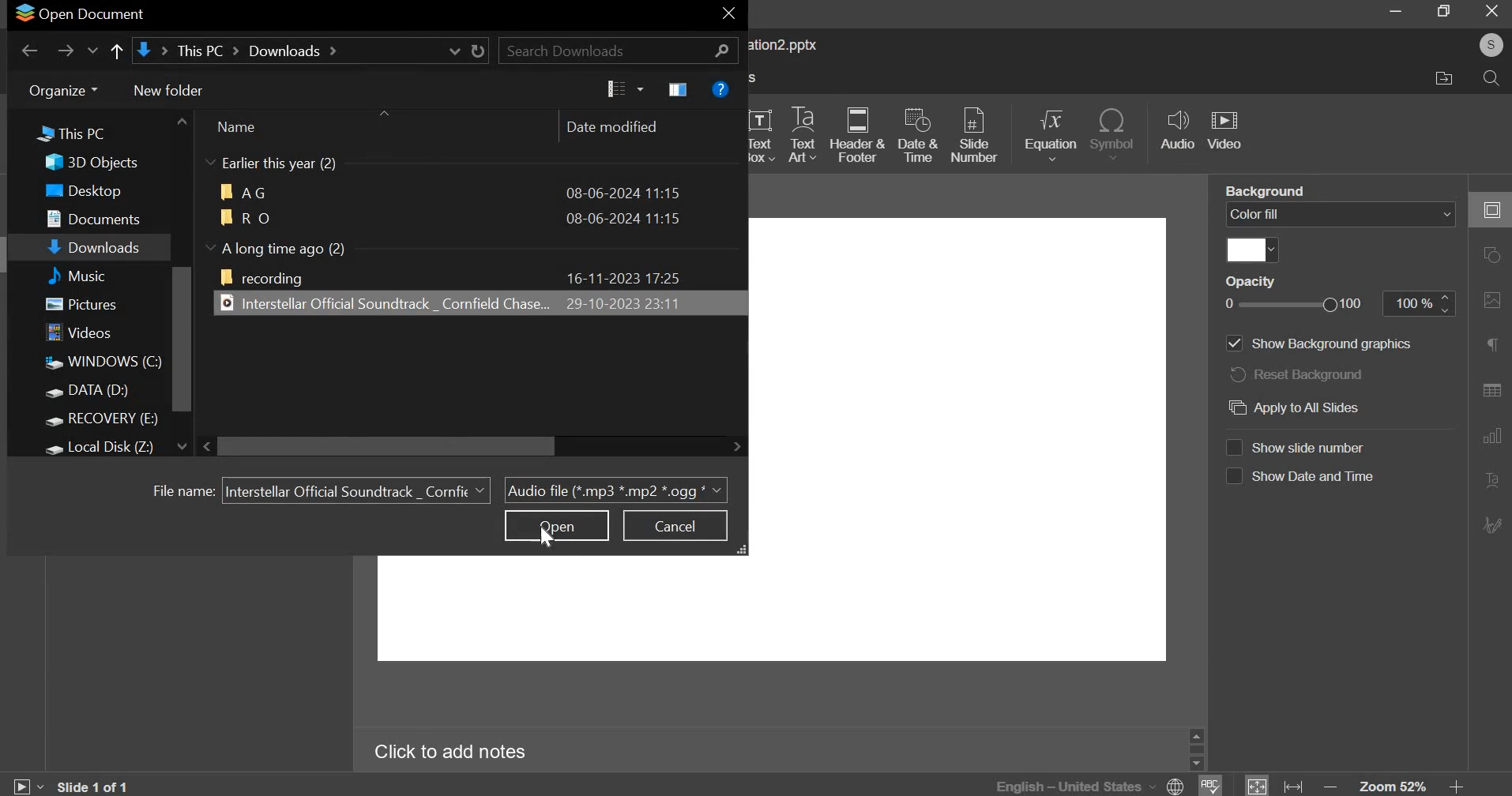 This screenshot has height=796, width=1512. I want to click on open document, so click(79, 15).